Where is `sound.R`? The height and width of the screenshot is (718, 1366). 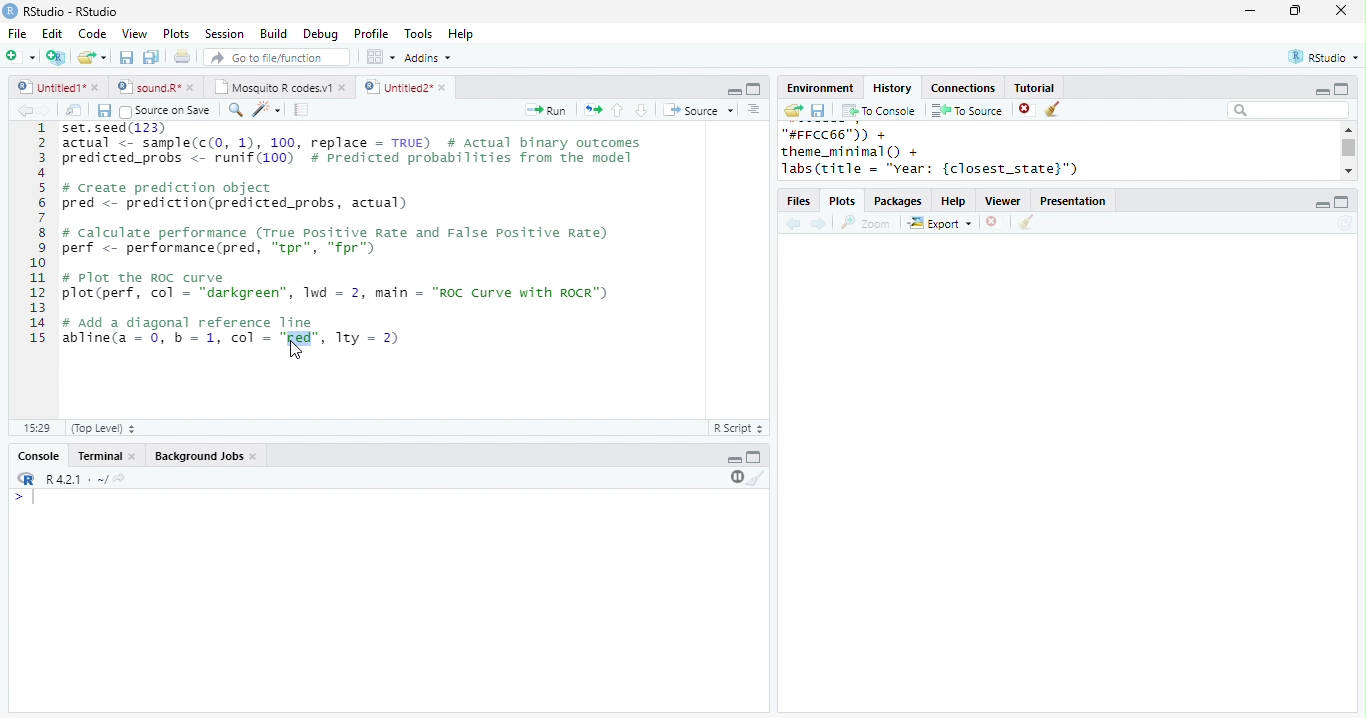
sound.R is located at coordinates (149, 87).